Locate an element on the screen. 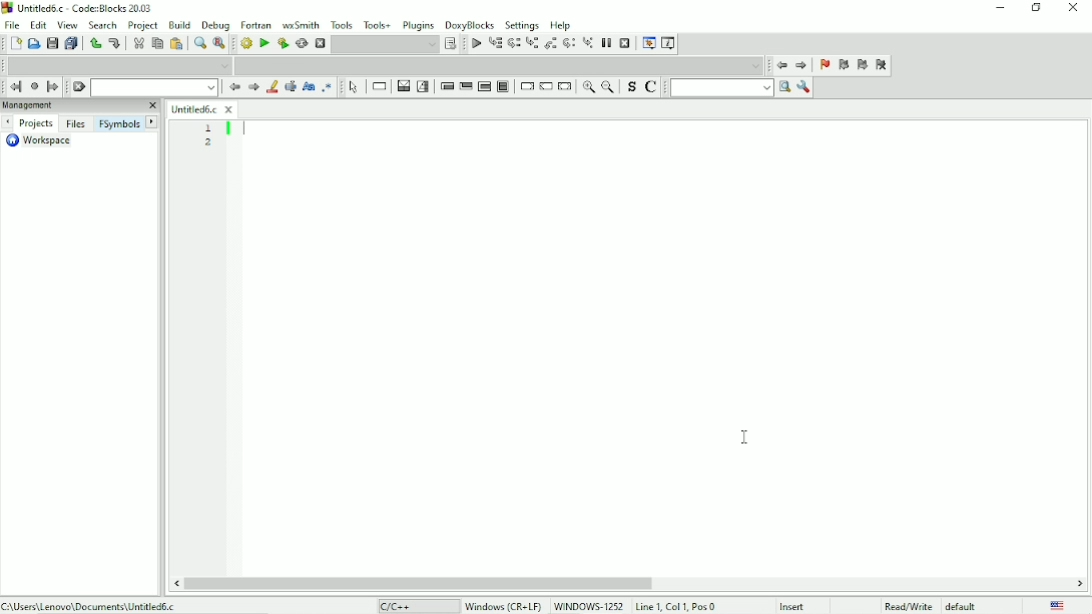 The image size is (1092, 614). Settings is located at coordinates (521, 25).